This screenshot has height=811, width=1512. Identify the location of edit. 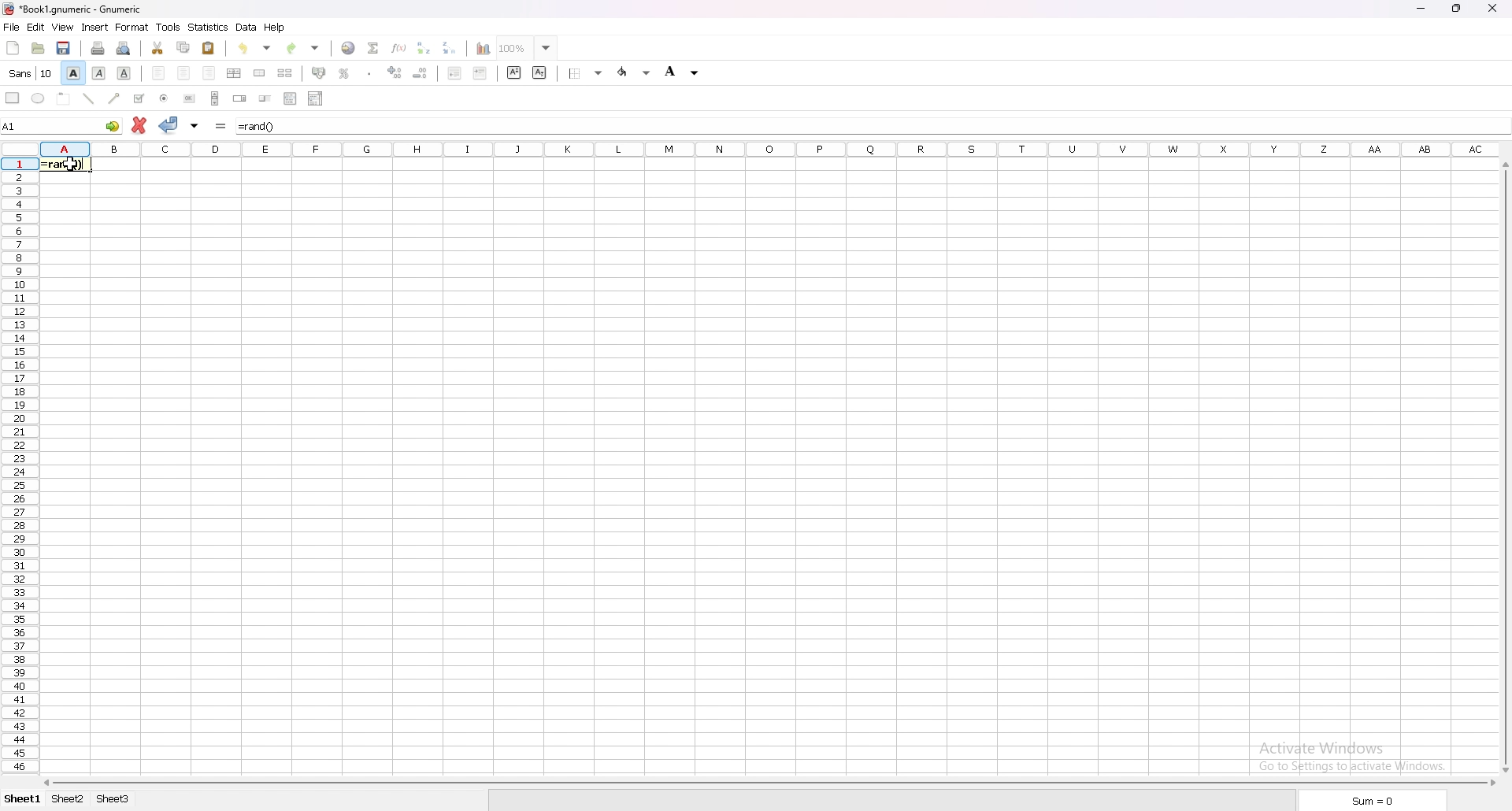
(37, 27).